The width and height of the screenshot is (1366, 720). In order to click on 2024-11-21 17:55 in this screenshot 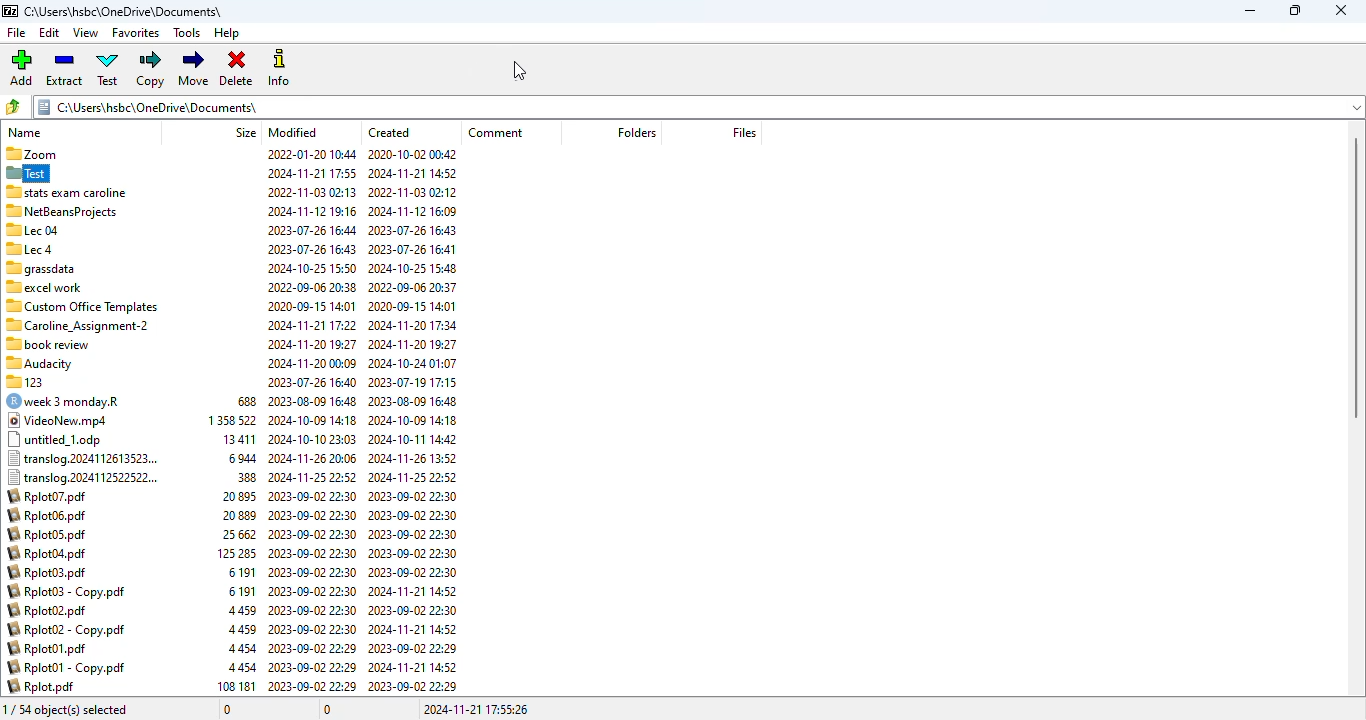, I will do `click(312, 173)`.